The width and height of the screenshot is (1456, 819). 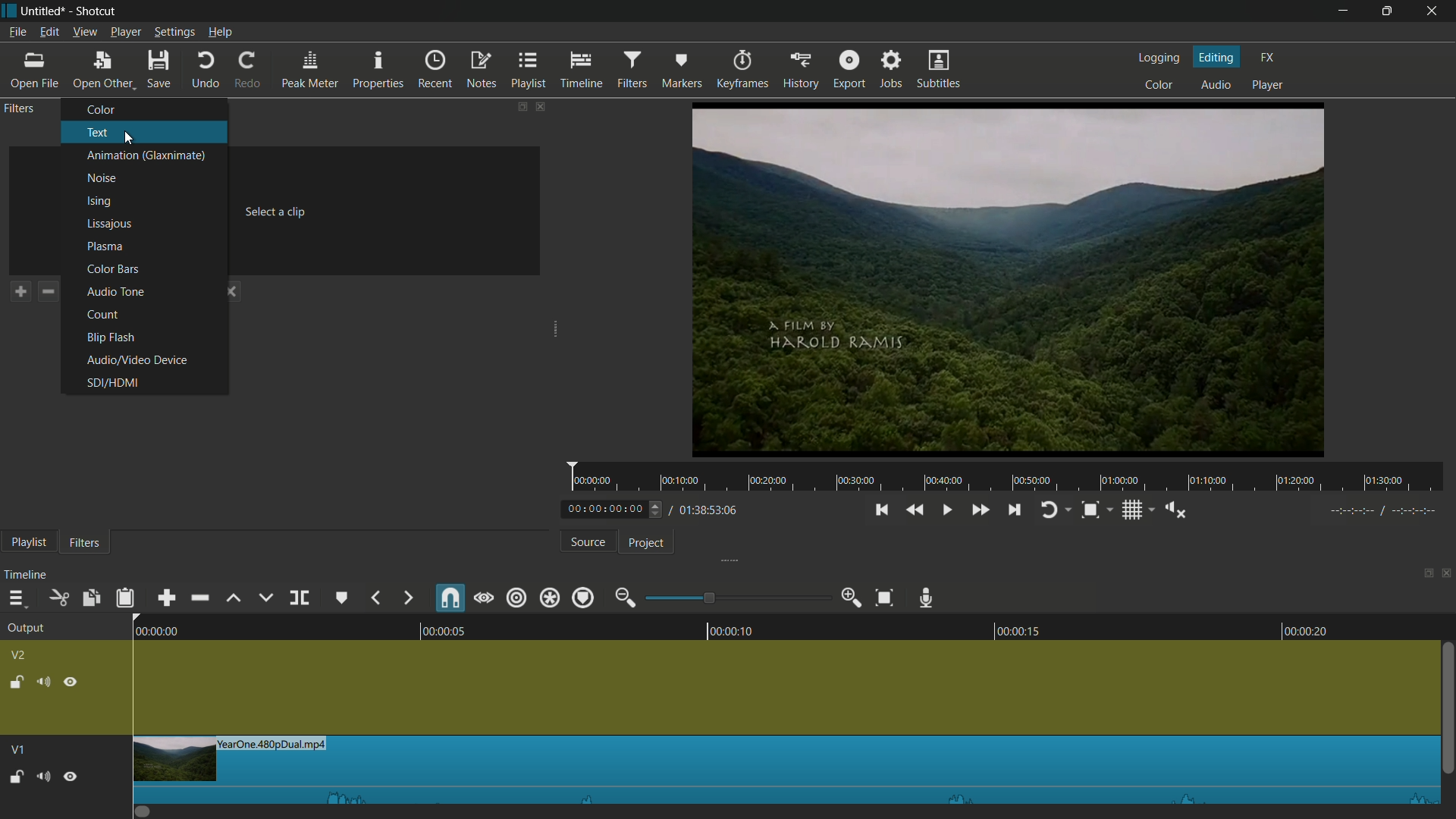 What do you see at coordinates (582, 598) in the screenshot?
I see `ripple markers` at bounding box center [582, 598].